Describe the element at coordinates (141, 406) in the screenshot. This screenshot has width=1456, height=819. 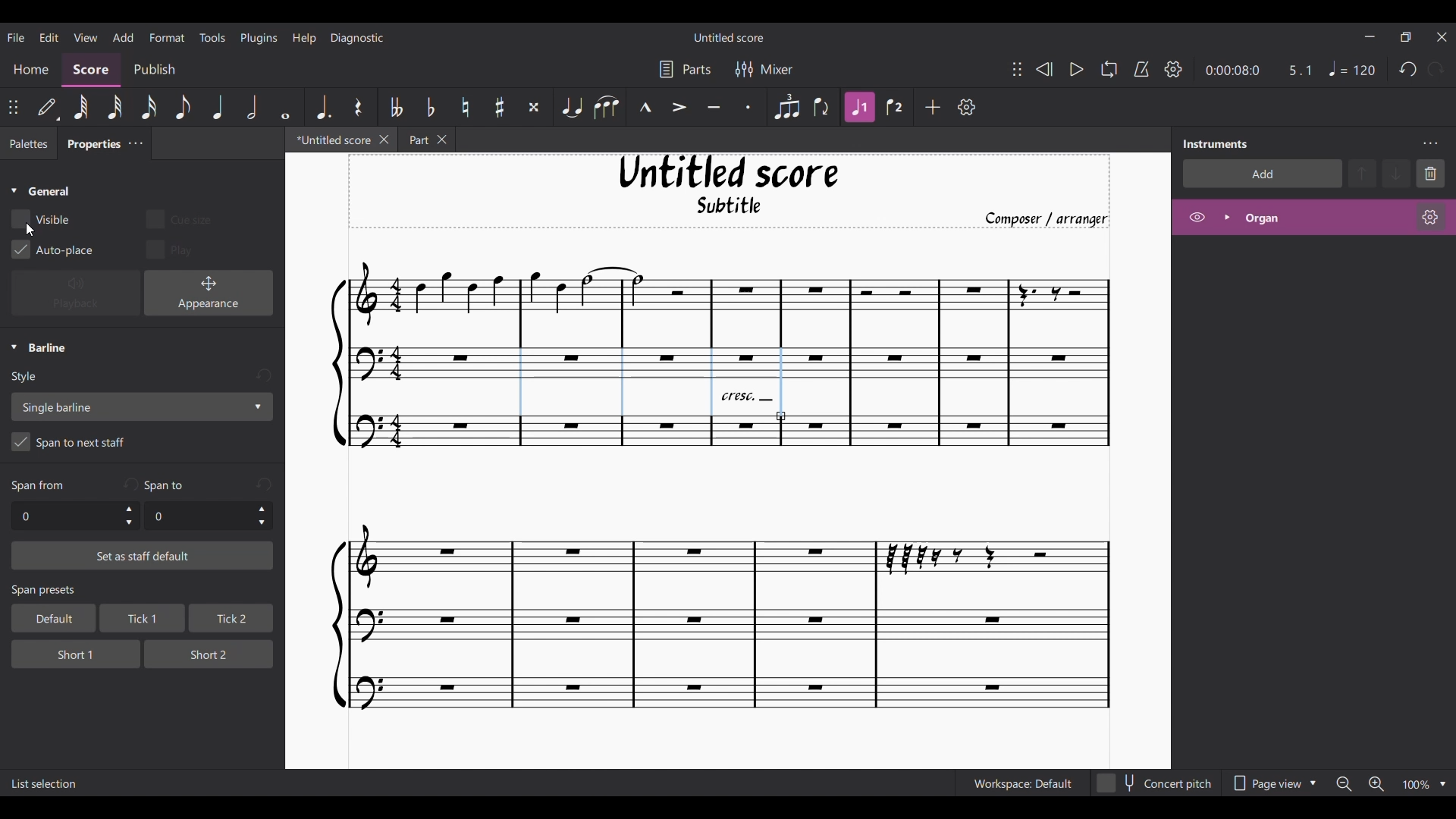
I see `single barline` at that location.